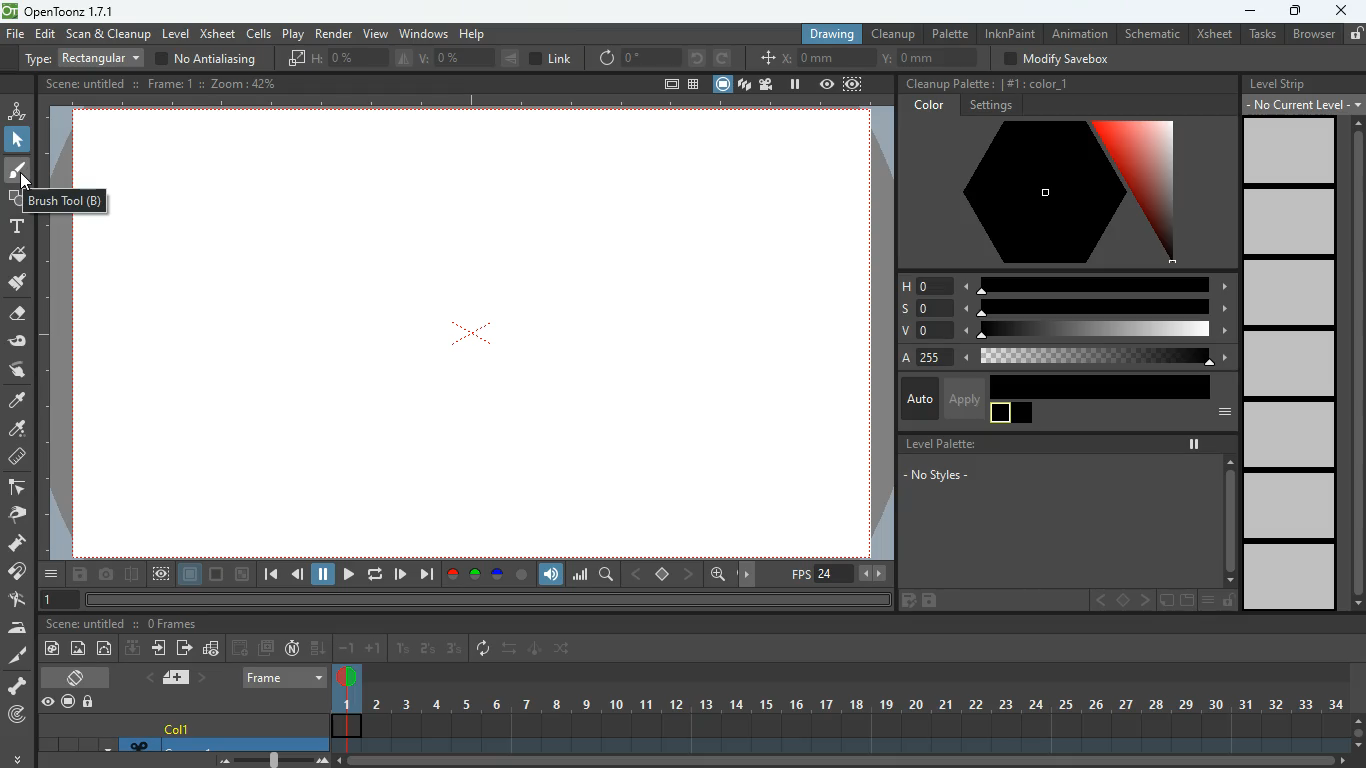  I want to click on back, so click(298, 577).